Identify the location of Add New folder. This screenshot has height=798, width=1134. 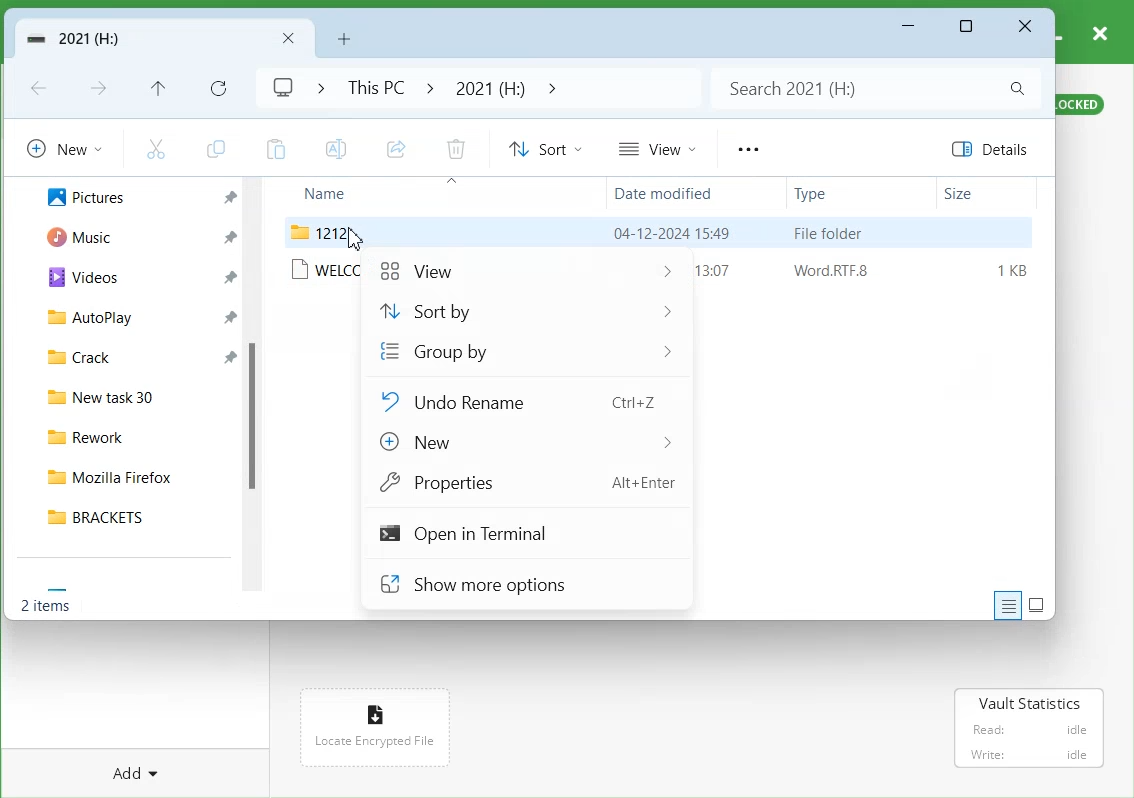
(344, 37).